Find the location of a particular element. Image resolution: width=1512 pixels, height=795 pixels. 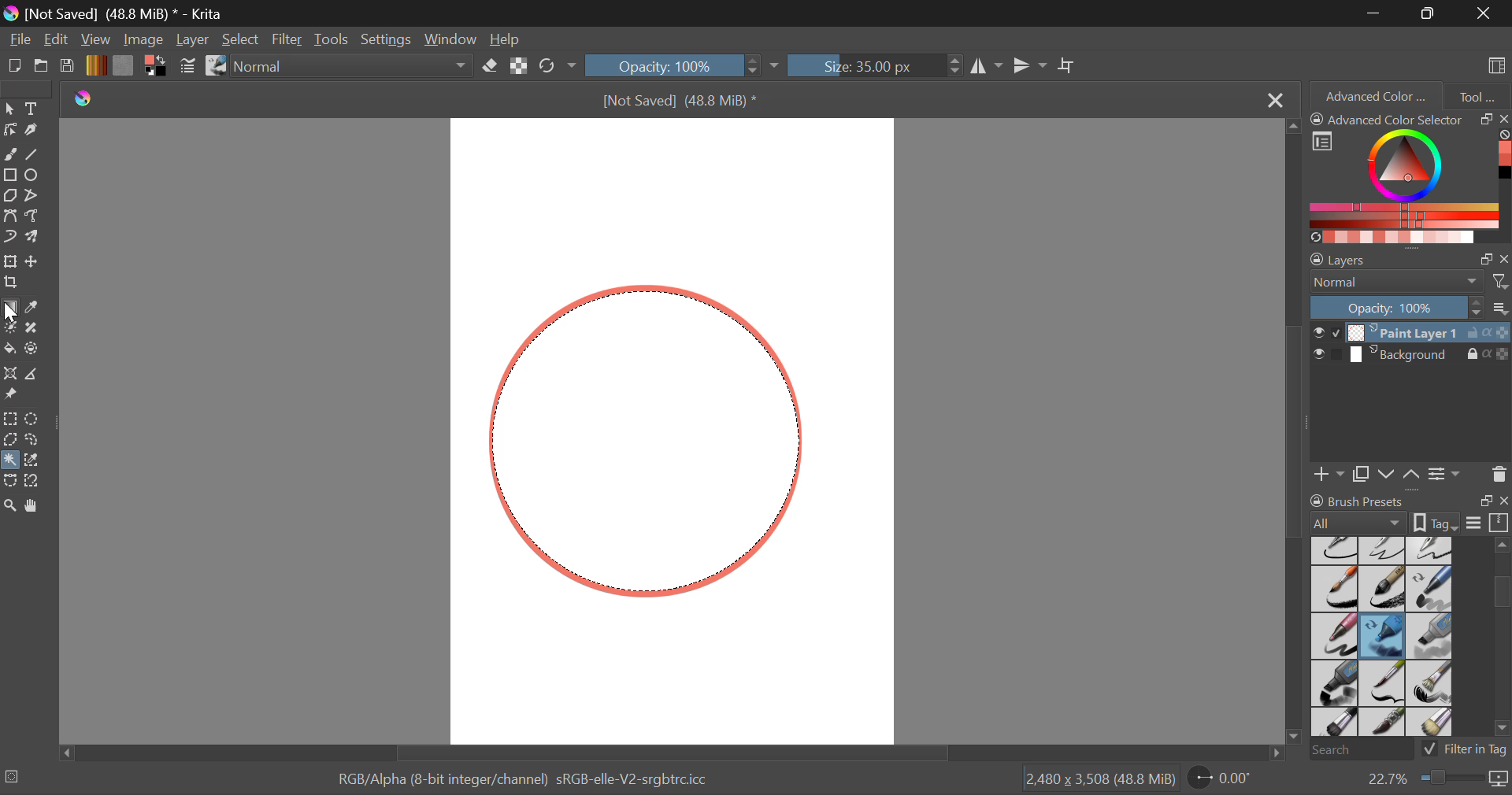

Pan Tool is located at coordinates (35, 505).